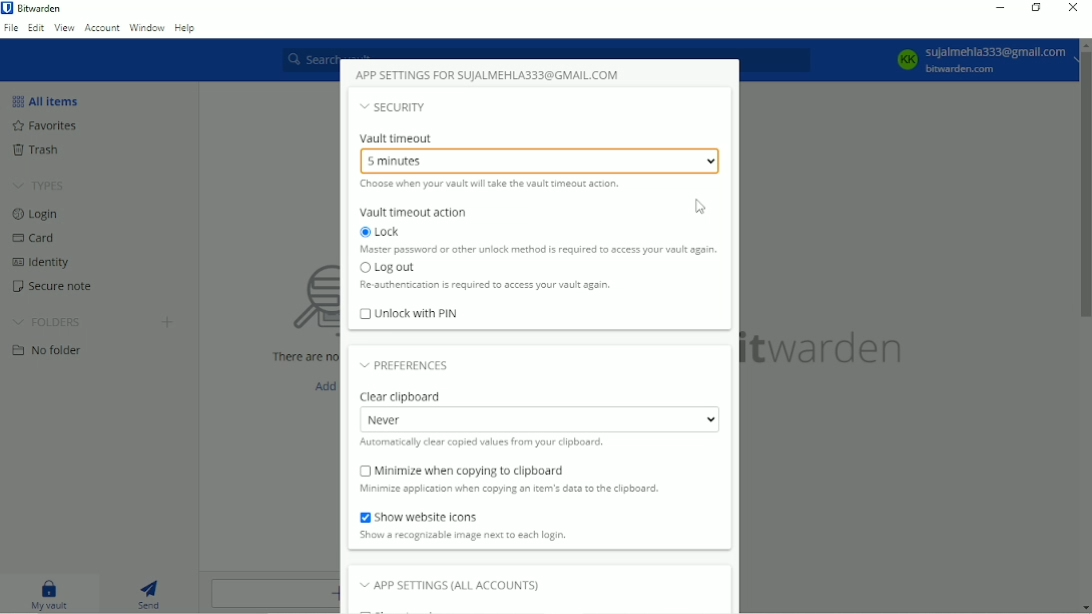 The image size is (1092, 614). What do you see at coordinates (186, 27) in the screenshot?
I see `Help` at bounding box center [186, 27].